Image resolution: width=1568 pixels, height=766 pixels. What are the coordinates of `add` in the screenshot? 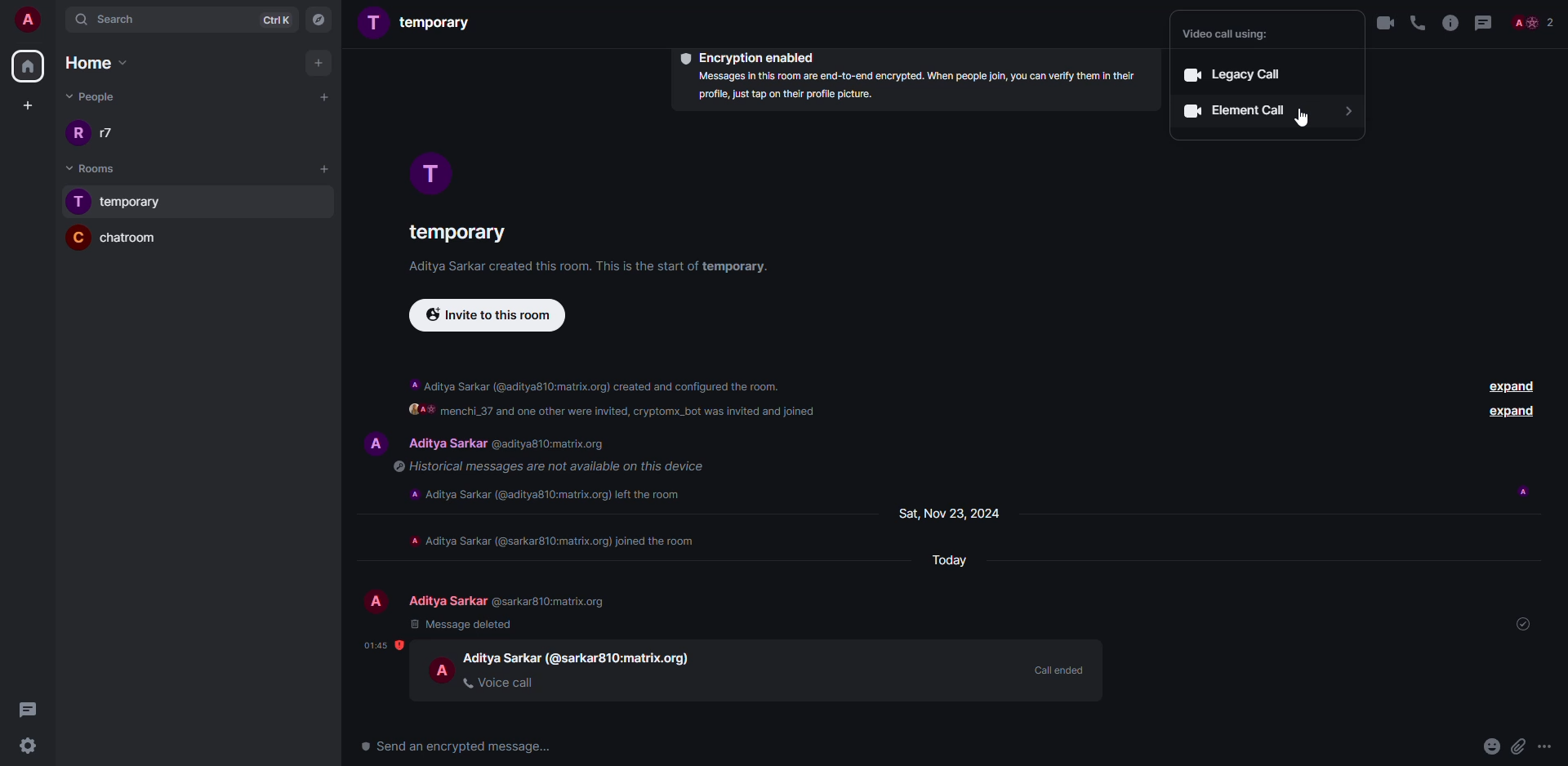 It's located at (325, 167).